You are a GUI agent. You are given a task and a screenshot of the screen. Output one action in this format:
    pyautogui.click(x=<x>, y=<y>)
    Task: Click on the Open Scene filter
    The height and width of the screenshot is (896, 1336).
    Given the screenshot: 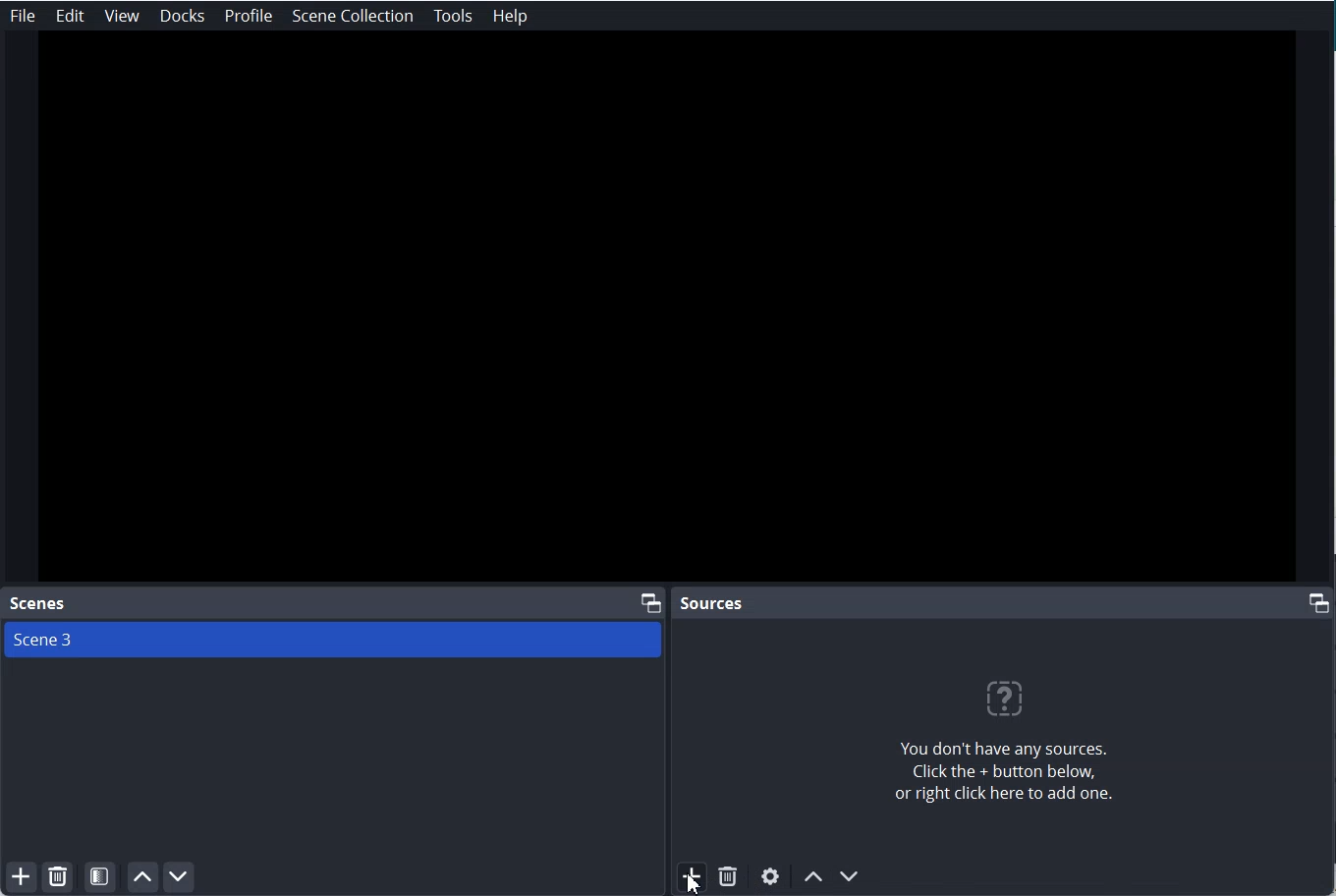 What is the action you would take?
    pyautogui.click(x=100, y=877)
    